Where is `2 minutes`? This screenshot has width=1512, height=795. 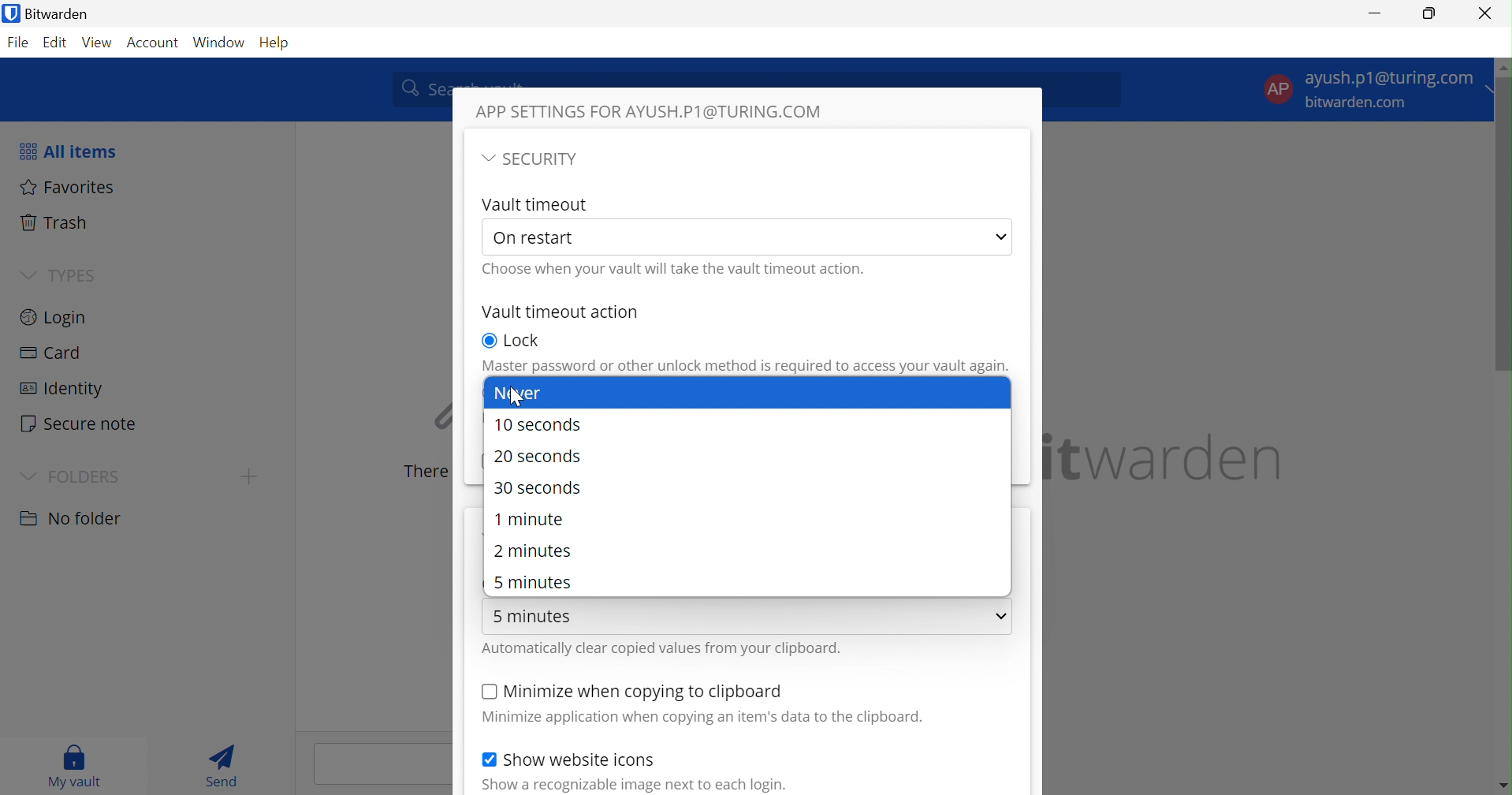
2 minutes is located at coordinates (535, 550).